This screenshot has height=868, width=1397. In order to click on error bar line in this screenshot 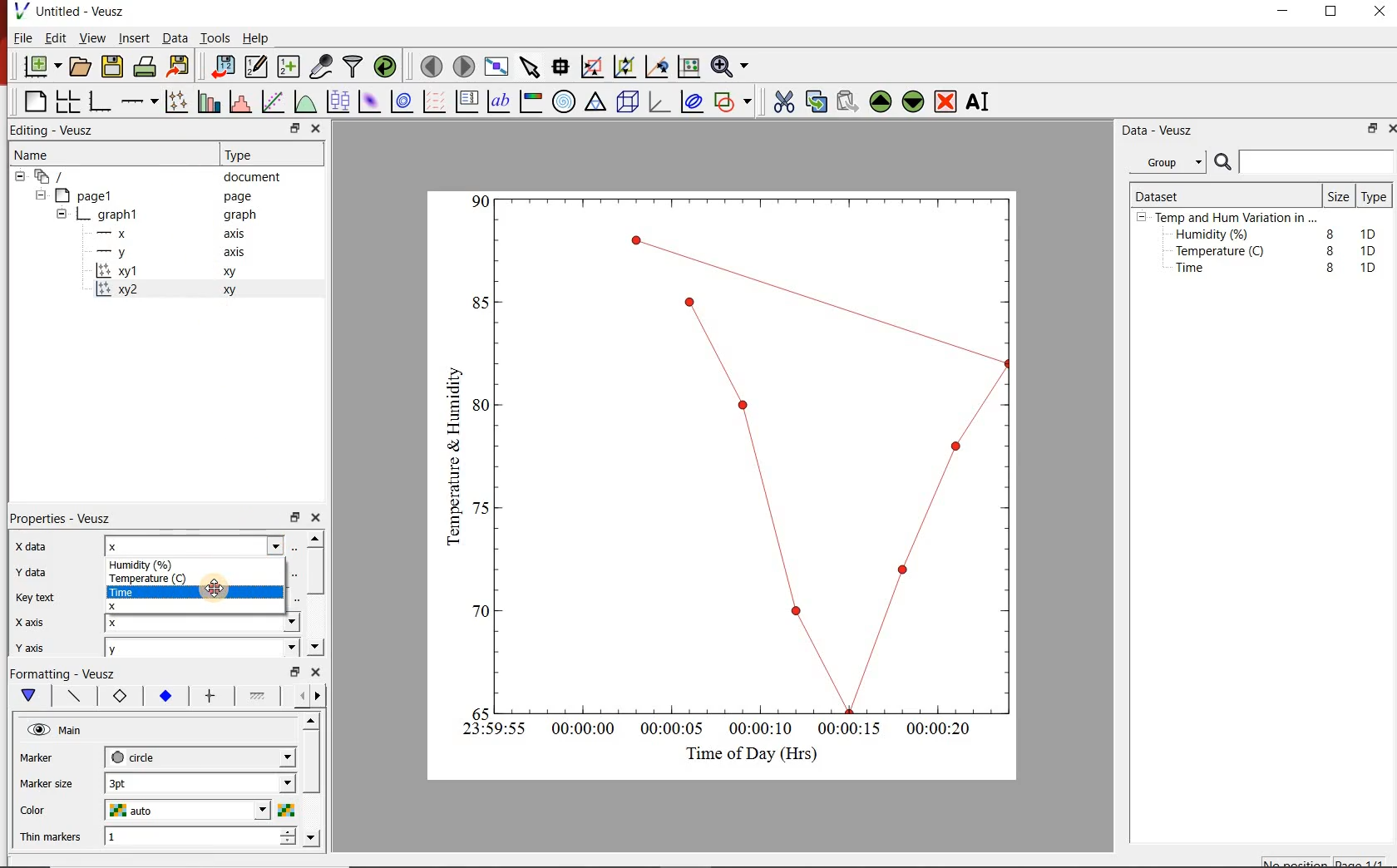, I will do `click(210, 695)`.